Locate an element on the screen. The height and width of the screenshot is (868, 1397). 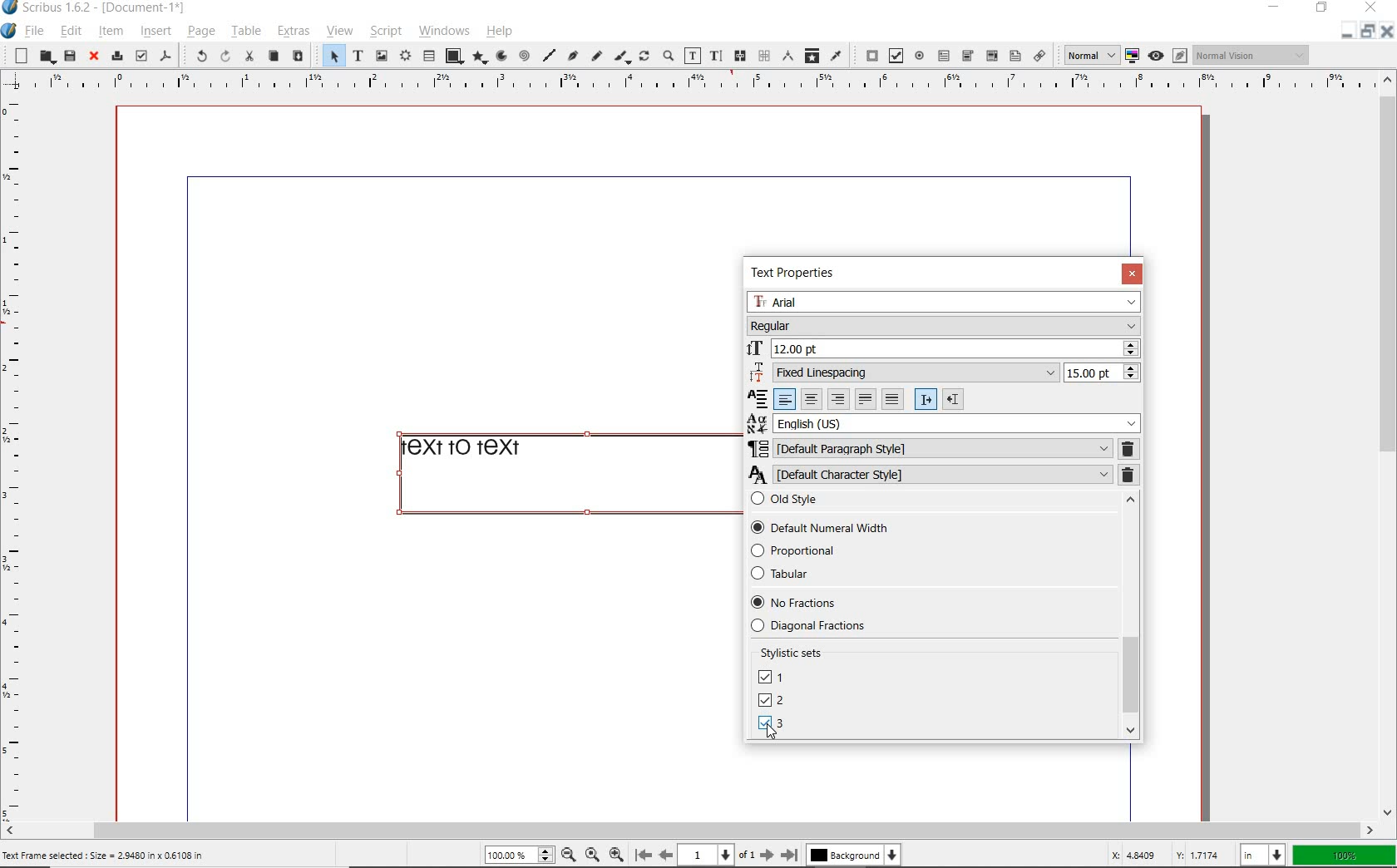
DEFAULT CHARACTER STYLE is located at coordinates (932, 476).